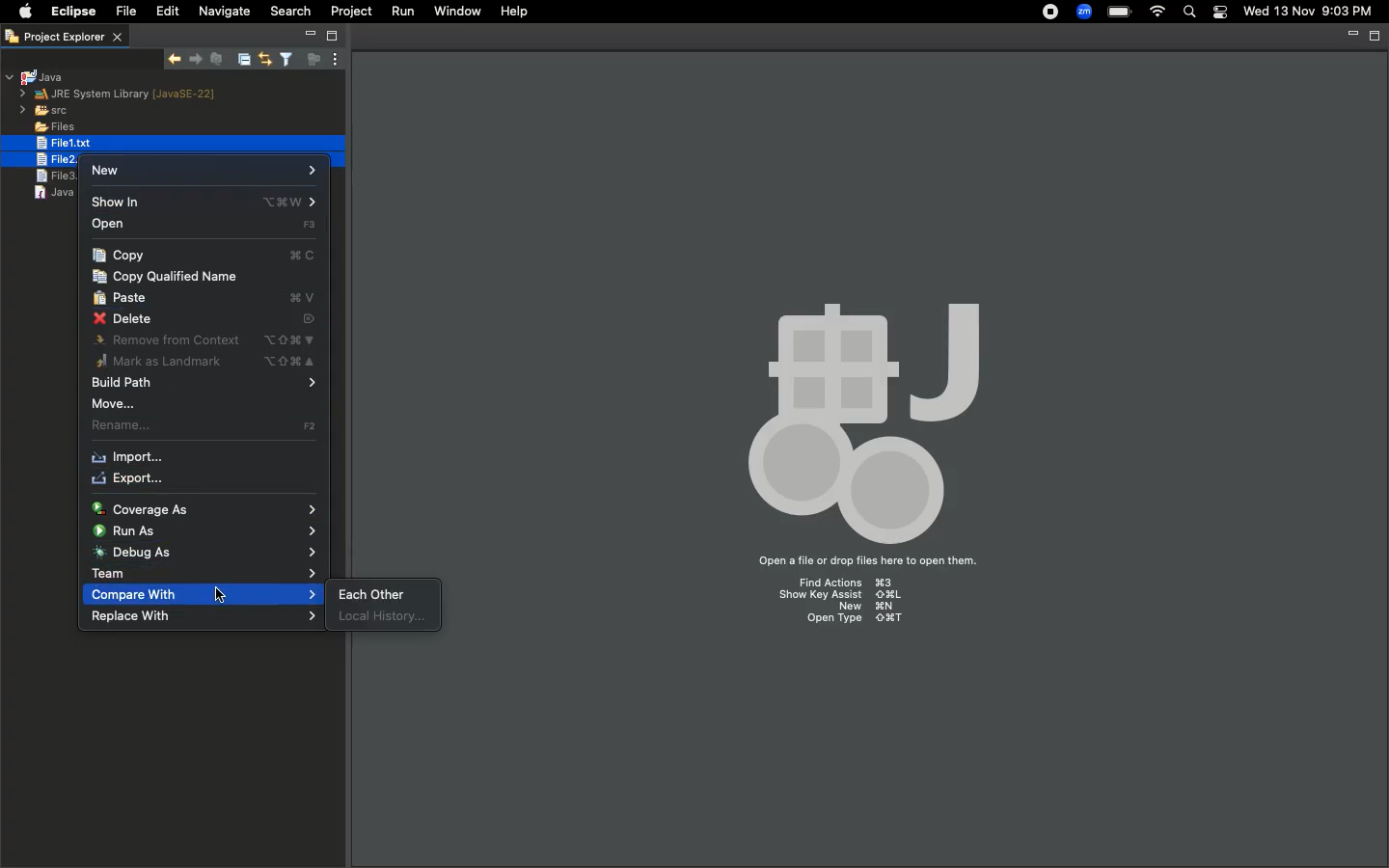  Describe the element at coordinates (866, 607) in the screenshot. I see `New` at that location.